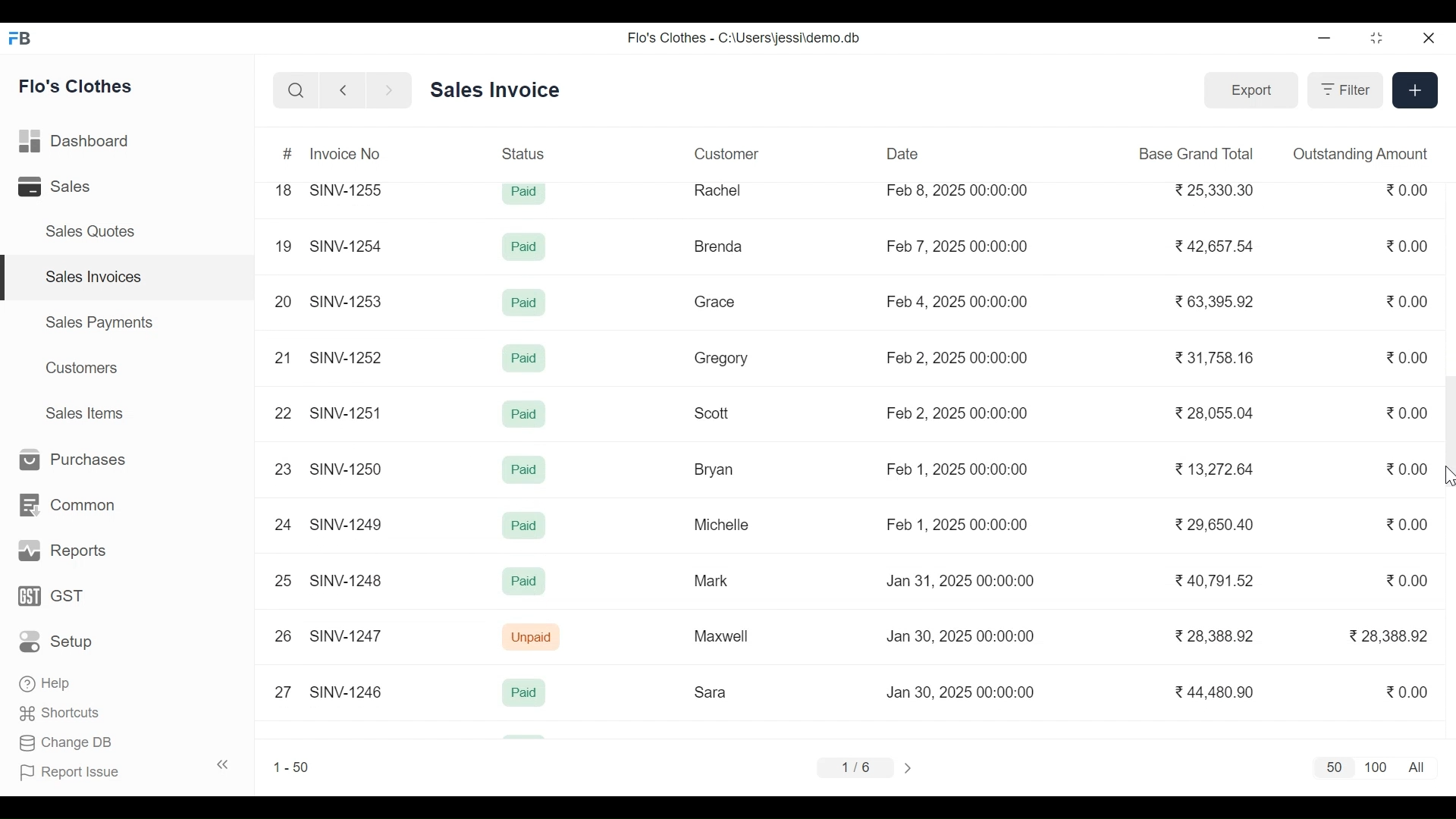 The width and height of the screenshot is (1456, 819). I want to click on Purchases, so click(67, 460).